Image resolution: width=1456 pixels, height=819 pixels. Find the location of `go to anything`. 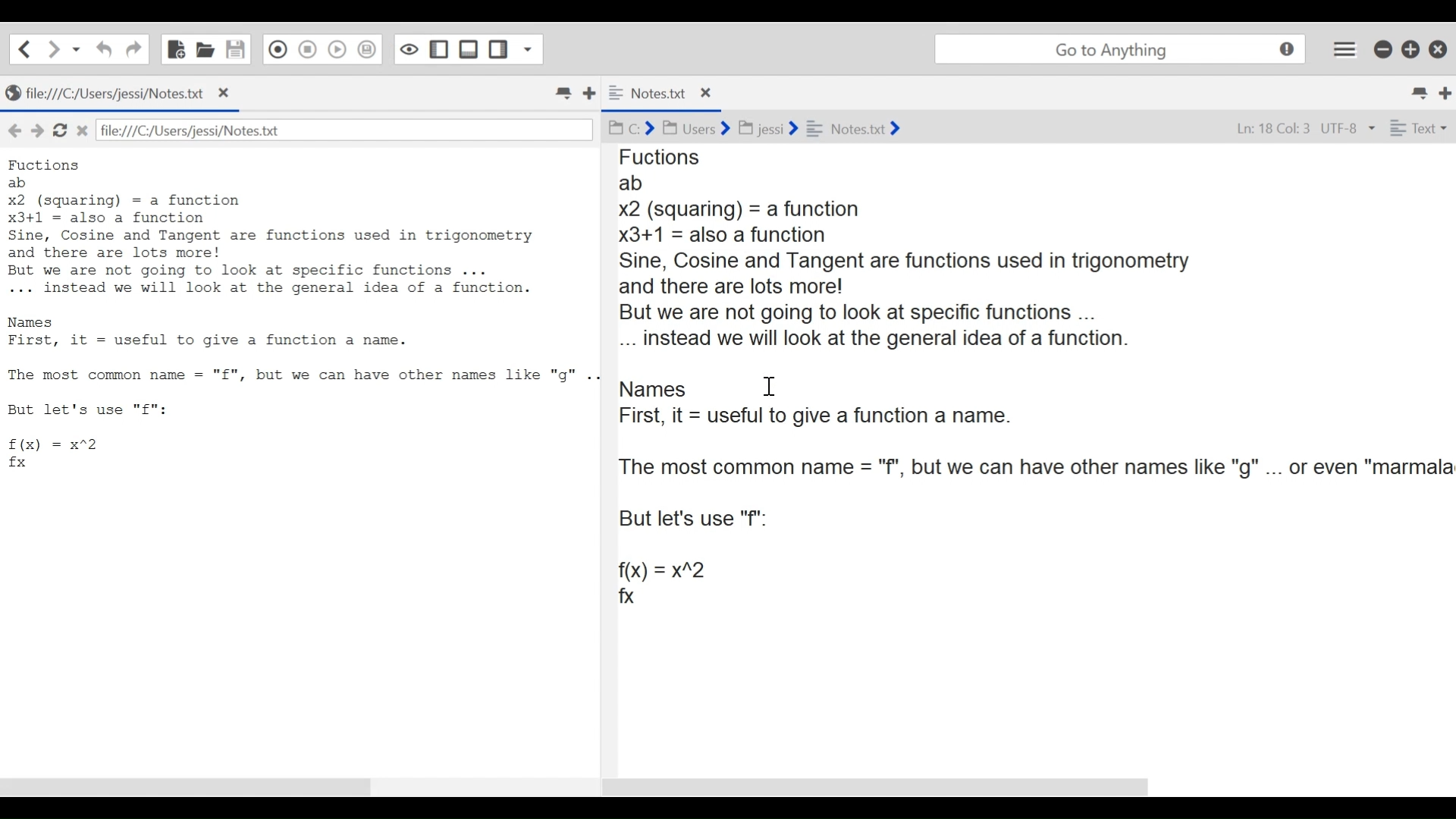

go to anything is located at coordinates (1120, 49).